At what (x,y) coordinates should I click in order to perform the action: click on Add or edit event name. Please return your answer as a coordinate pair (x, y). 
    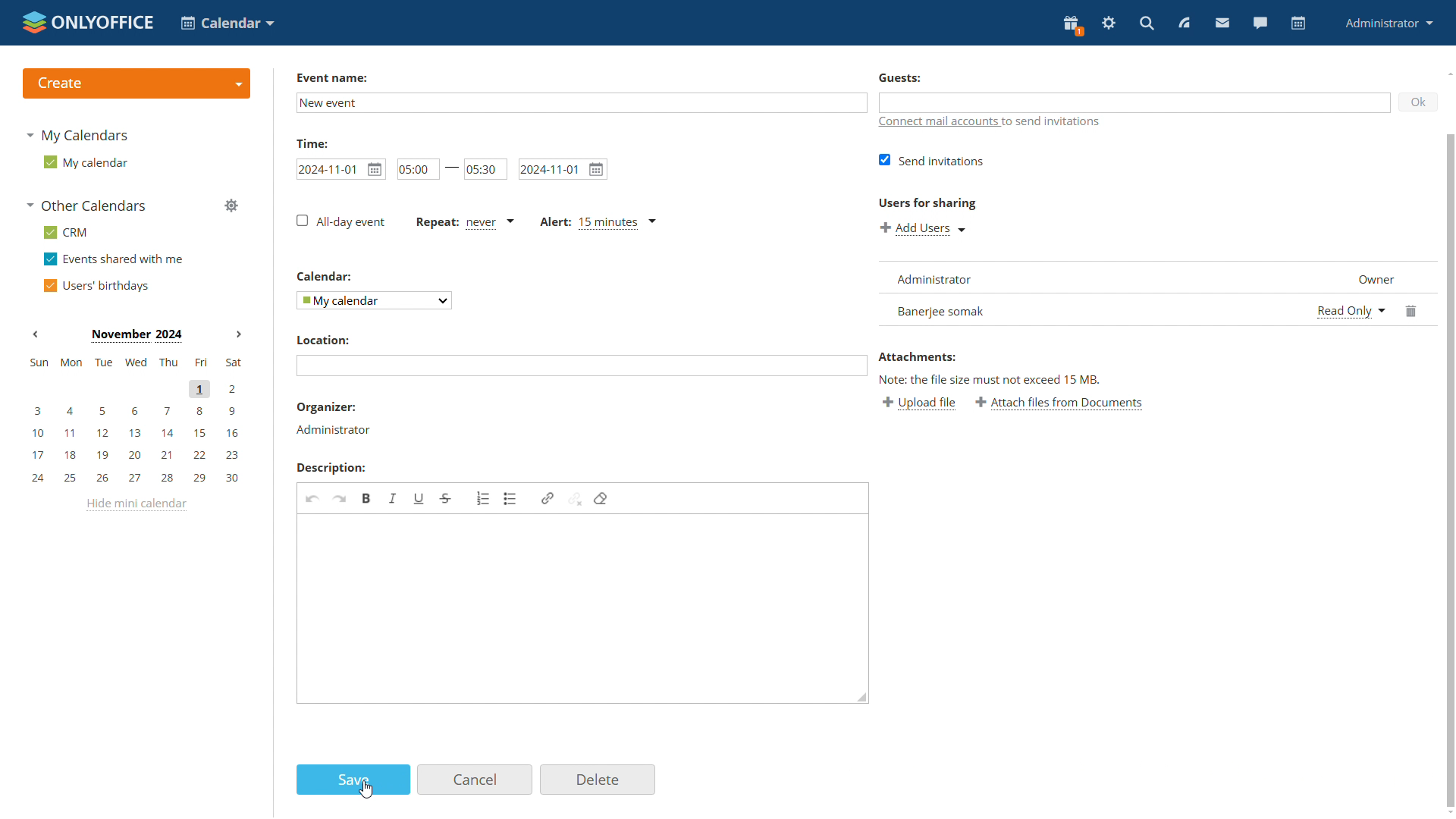
    Looking at the image, I should click on (579, 102).